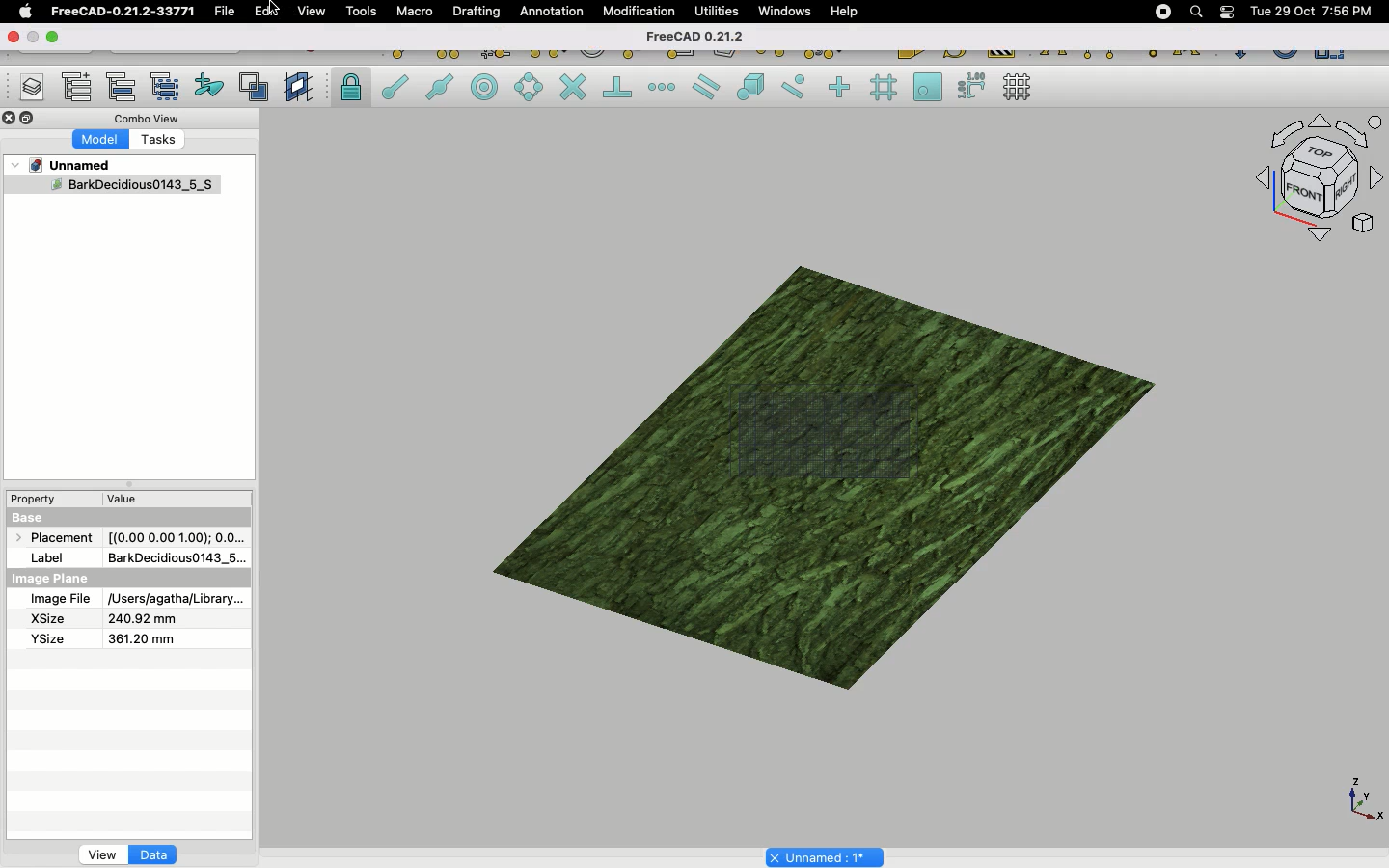  Describe the element at coordinates (1311, 10) in the screenshot. I see `Date/time` at that location.